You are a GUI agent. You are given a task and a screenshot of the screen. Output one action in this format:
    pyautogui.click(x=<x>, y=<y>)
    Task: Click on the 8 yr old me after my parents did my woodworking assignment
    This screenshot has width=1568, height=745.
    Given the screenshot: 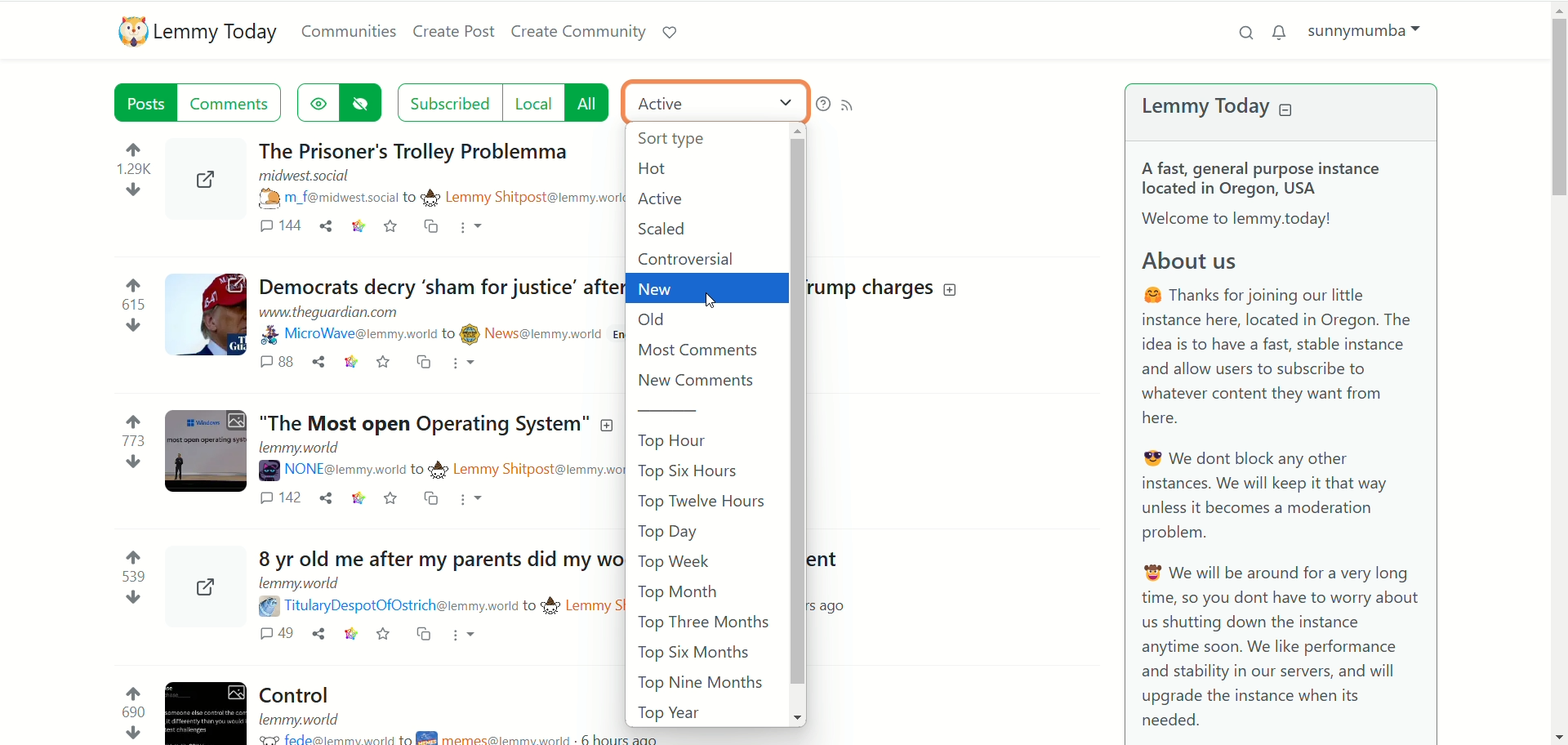 What is the action you would take?
    pyautogui.click(x=430, y=560)
    